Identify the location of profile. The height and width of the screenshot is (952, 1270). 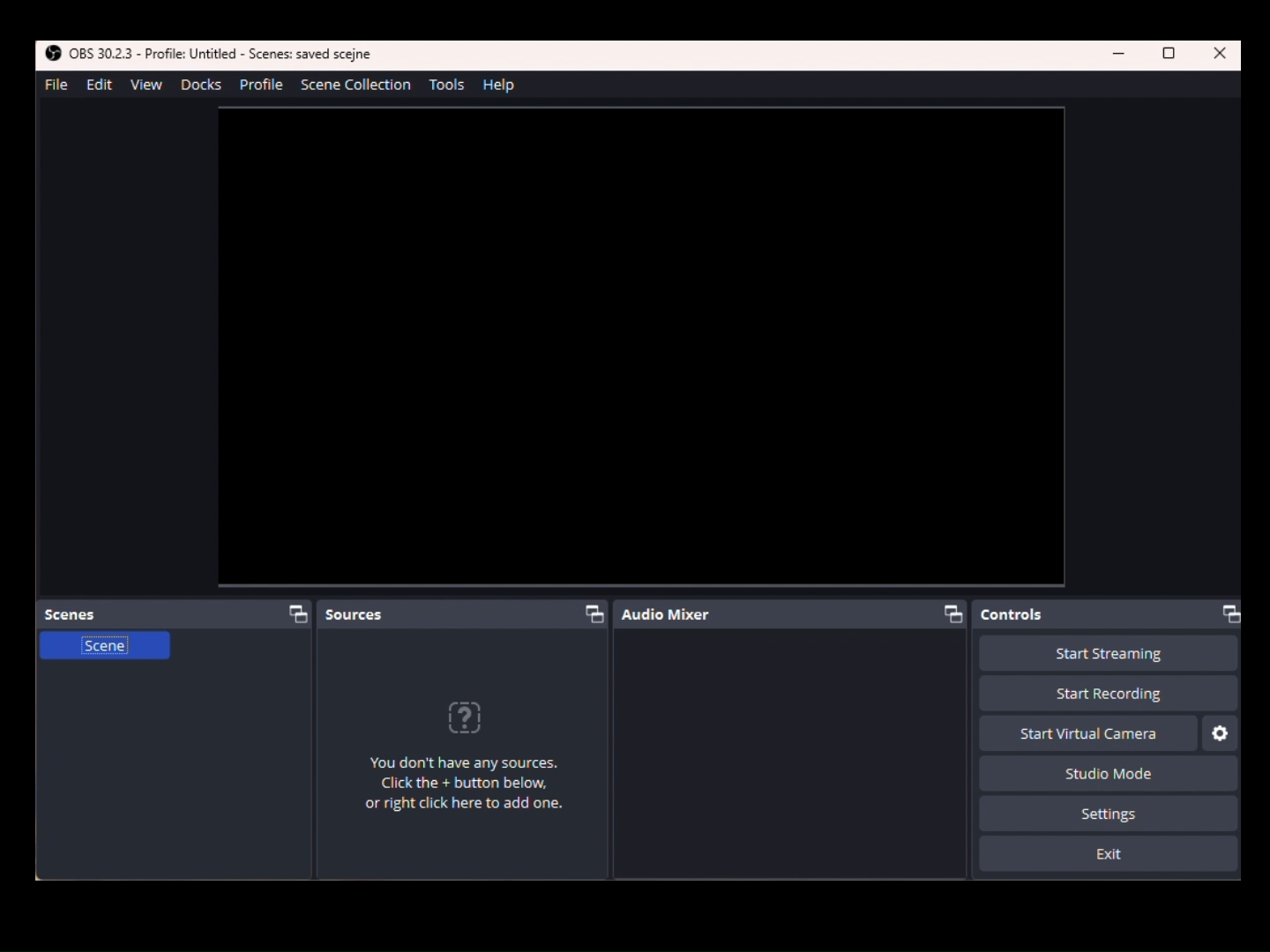
(261, 85).